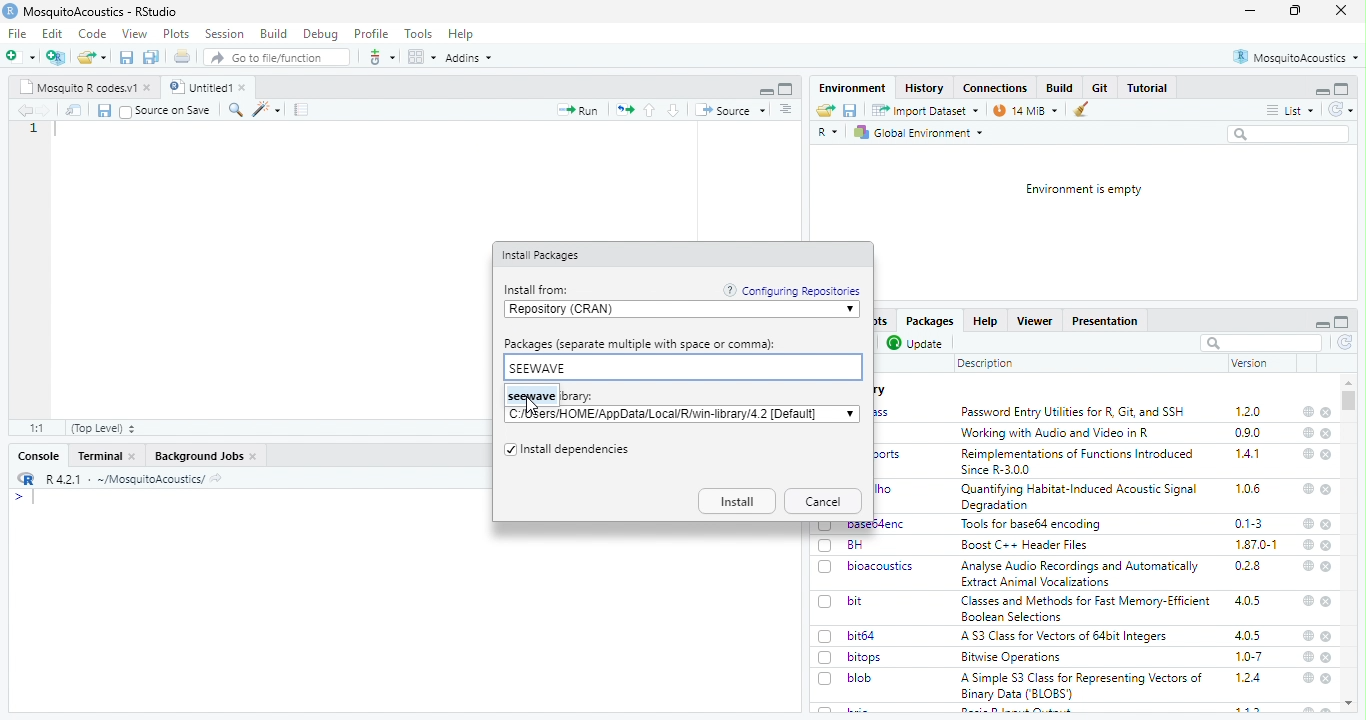  I want to click on File, so click(19, 34).